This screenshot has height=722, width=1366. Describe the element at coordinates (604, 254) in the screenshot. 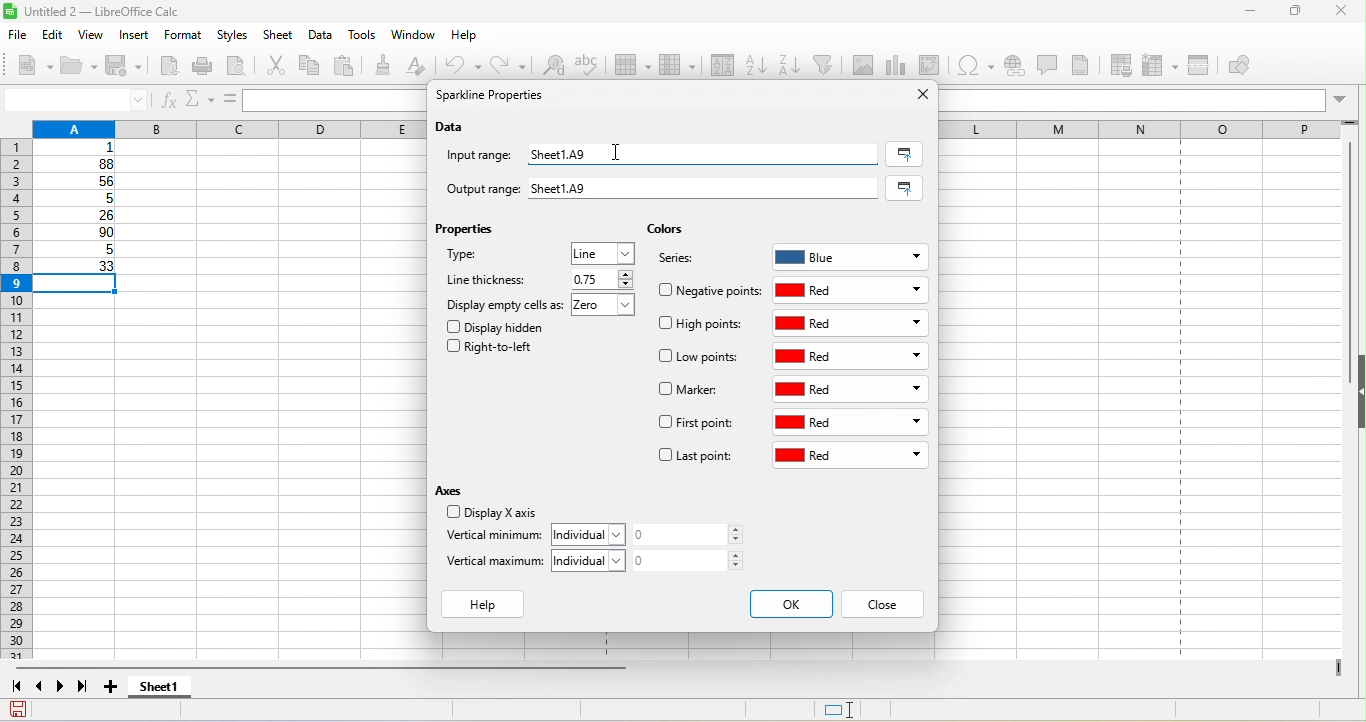

I see `line` at that location.